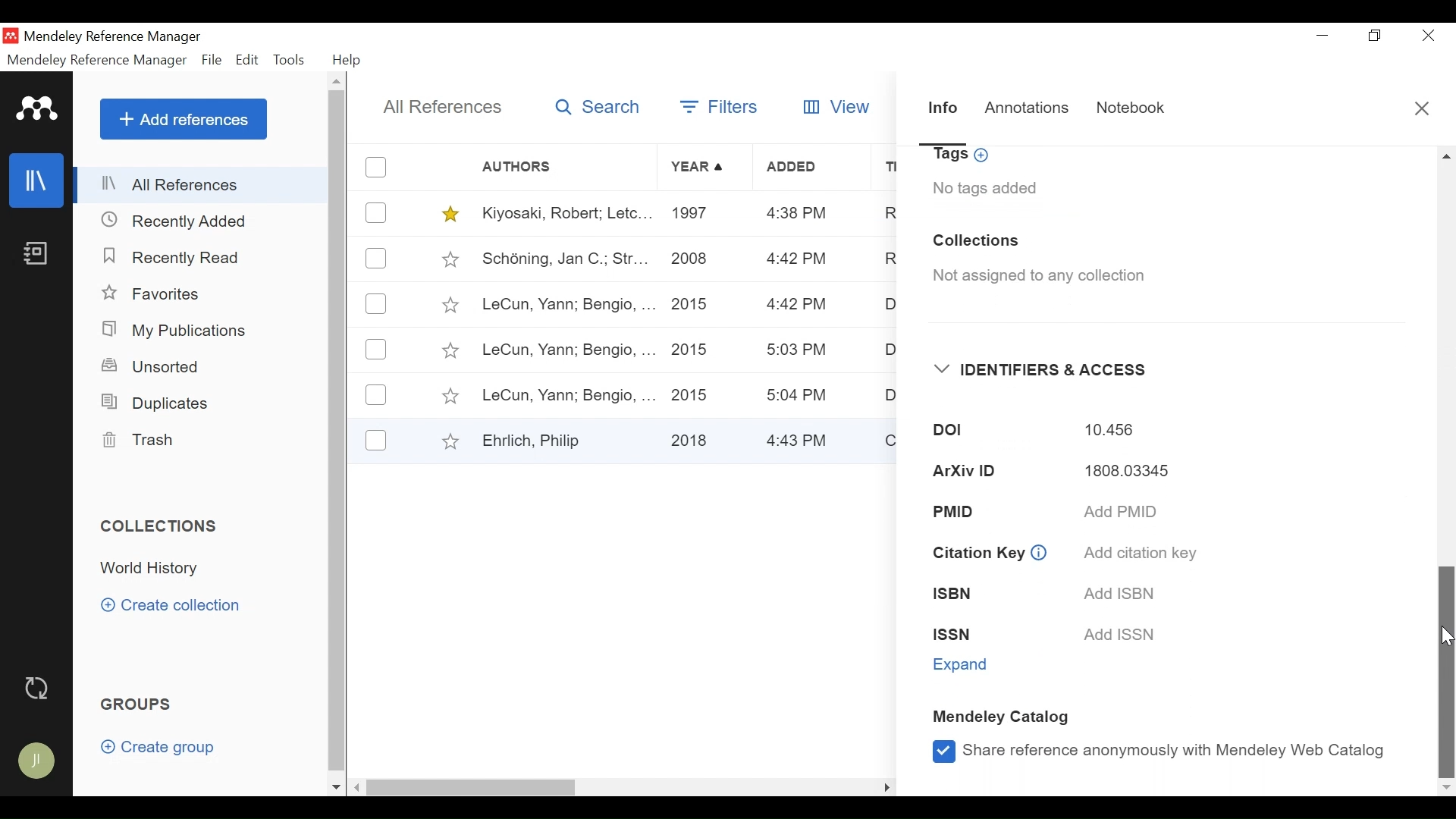 This screenshot has width=1456, height=819. Describe the element at coordinates (966, 635) in the screenshot. I see `ISSN` at that location.